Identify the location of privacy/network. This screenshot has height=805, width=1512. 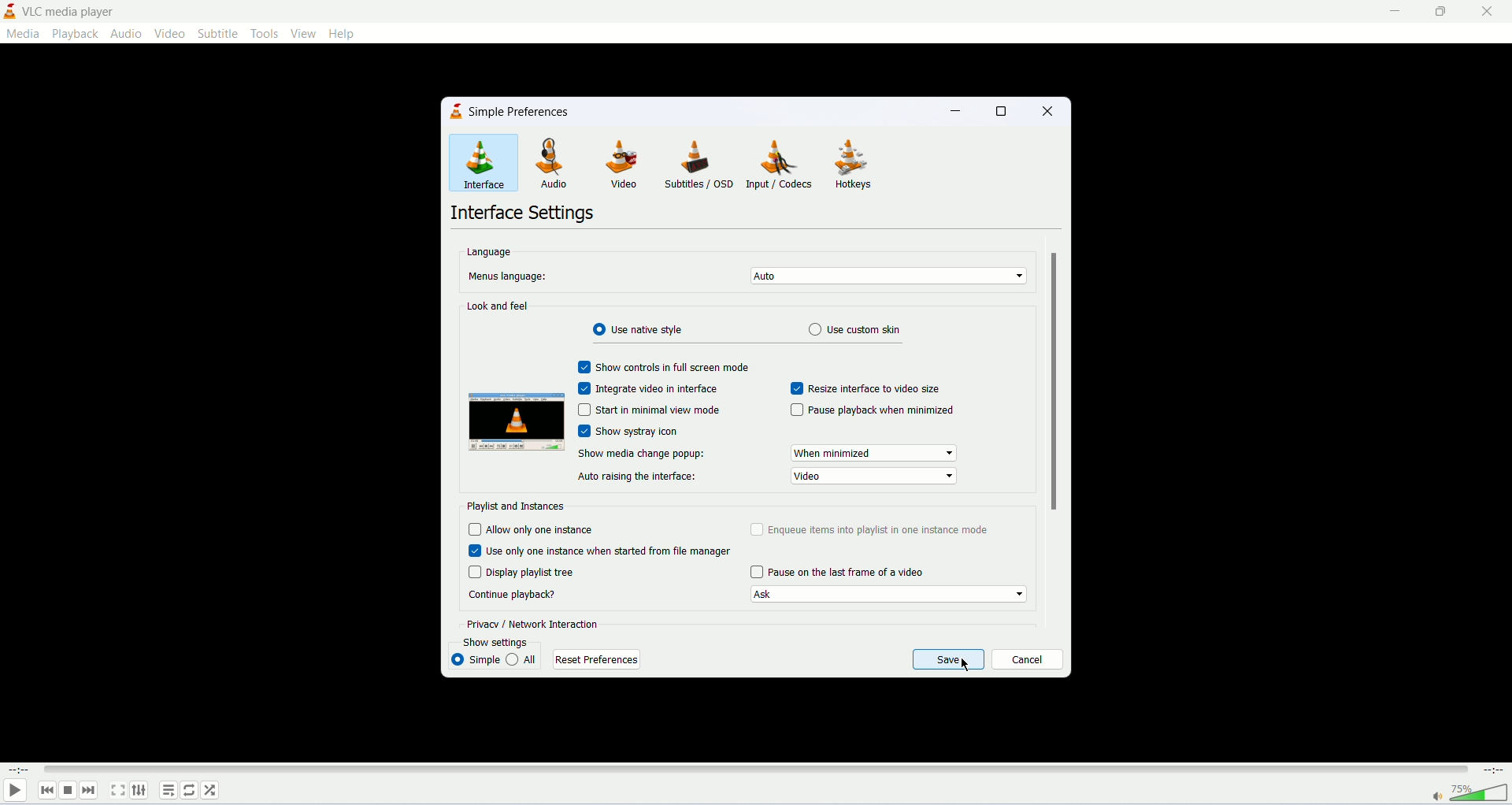
(532, 624).